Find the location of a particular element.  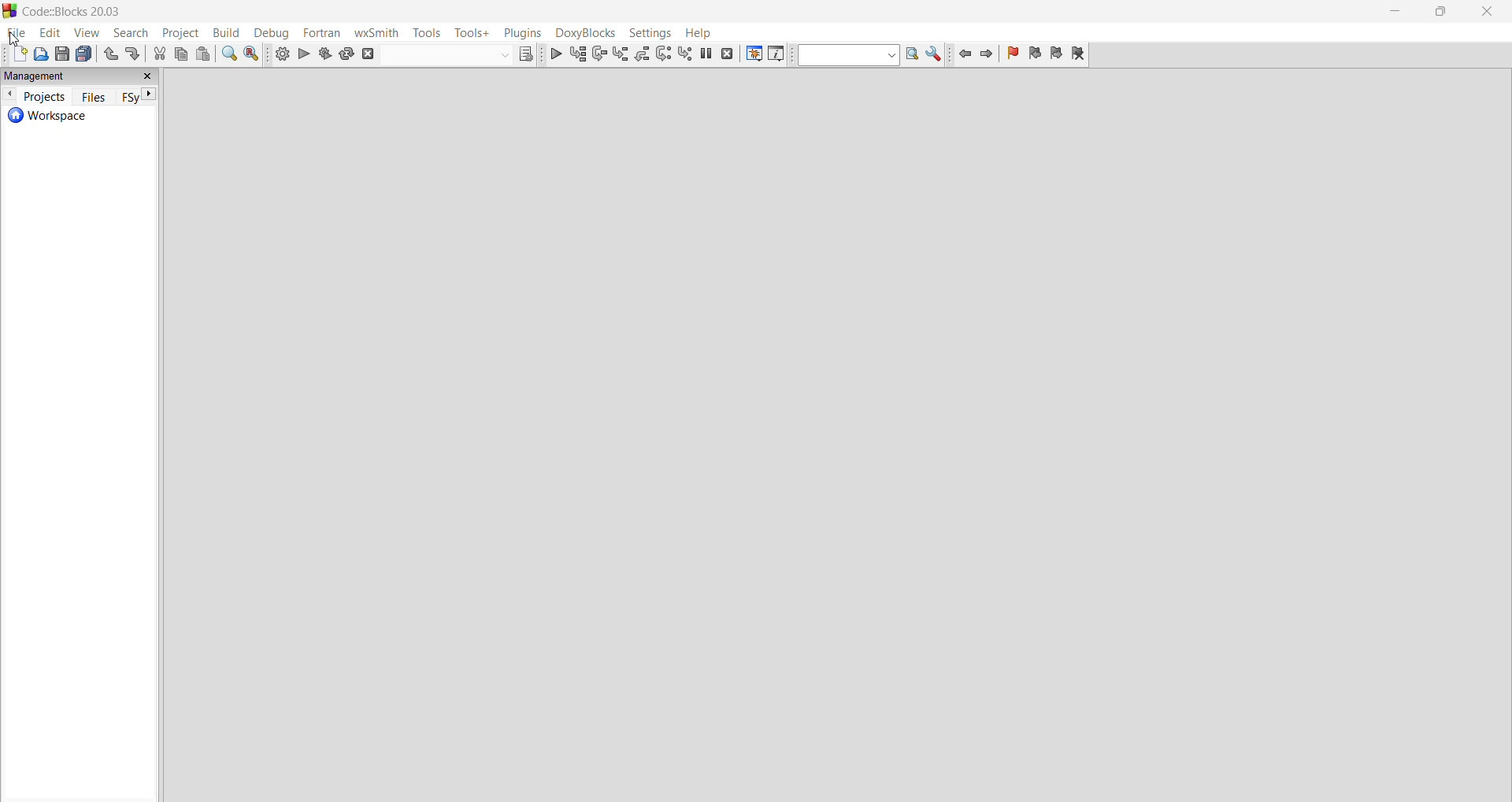

file is located at coordinates (17, 32).